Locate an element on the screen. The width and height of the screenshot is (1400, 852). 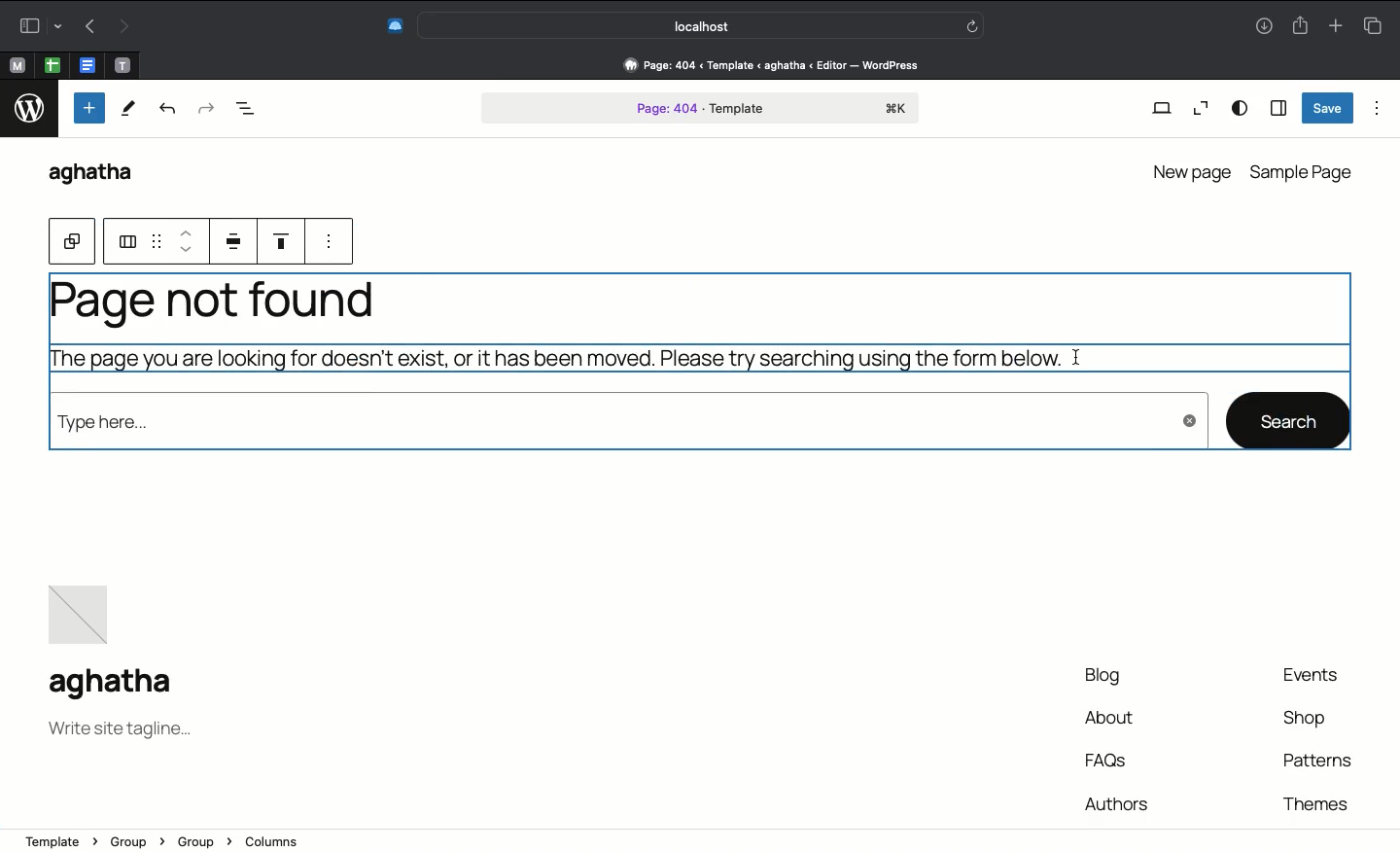
Sidebar is located at coordinates (1277, 107).